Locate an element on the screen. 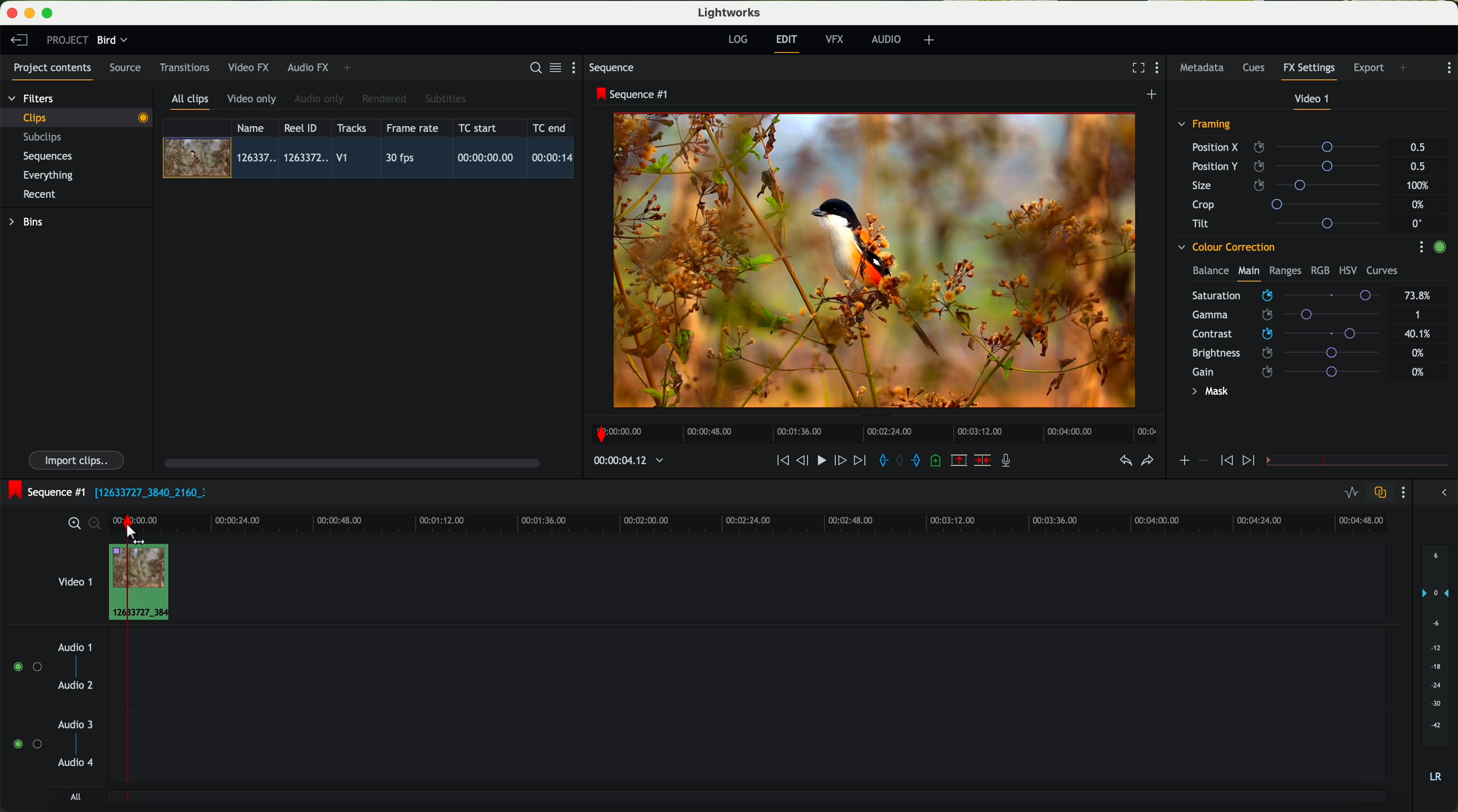 The width and height of the screenshot is (1458, 812). timeline is located at coordinates (783, 519).